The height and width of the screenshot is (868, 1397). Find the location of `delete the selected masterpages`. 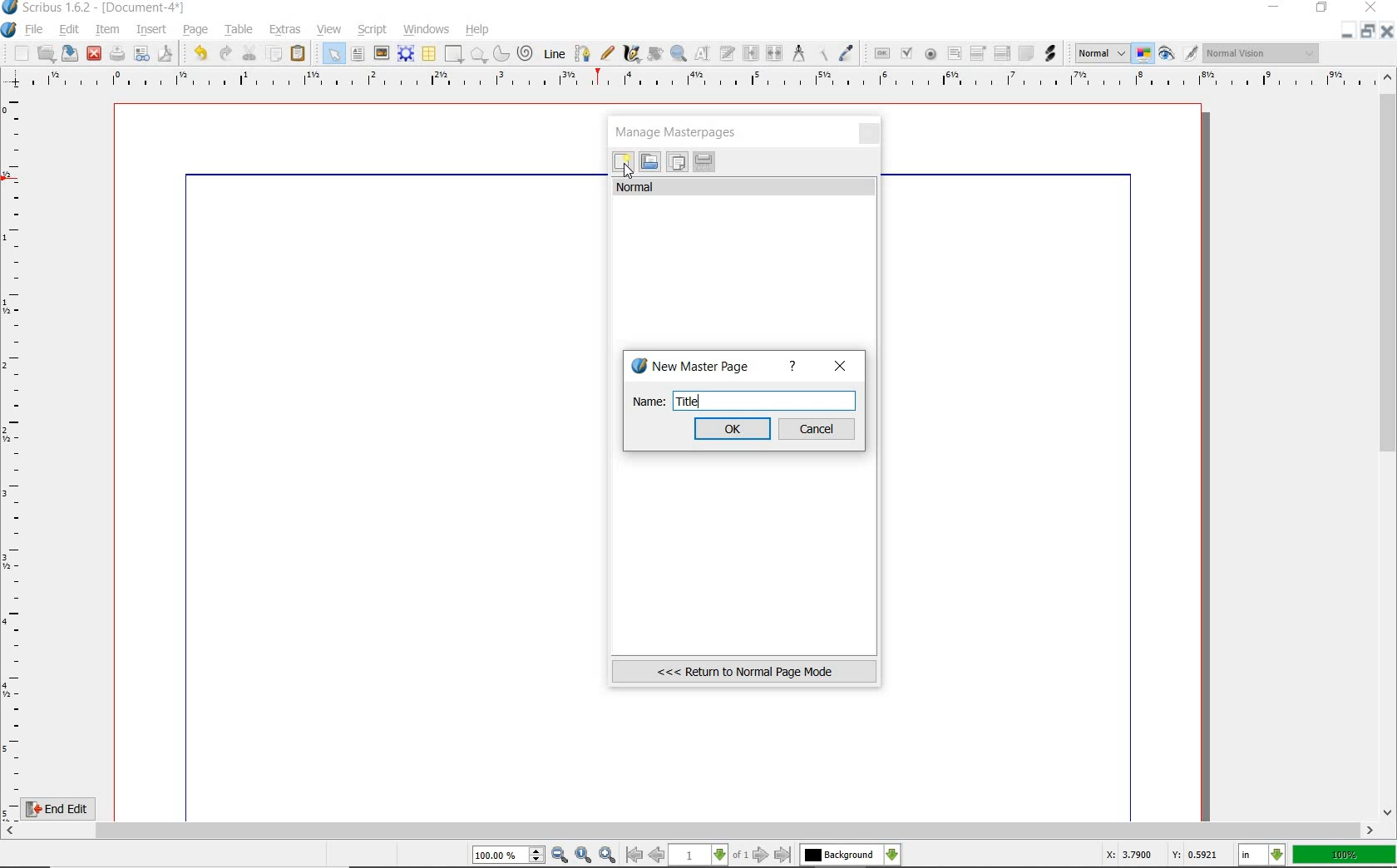

delete the selected masterpages is located at coordinates (704, 162).